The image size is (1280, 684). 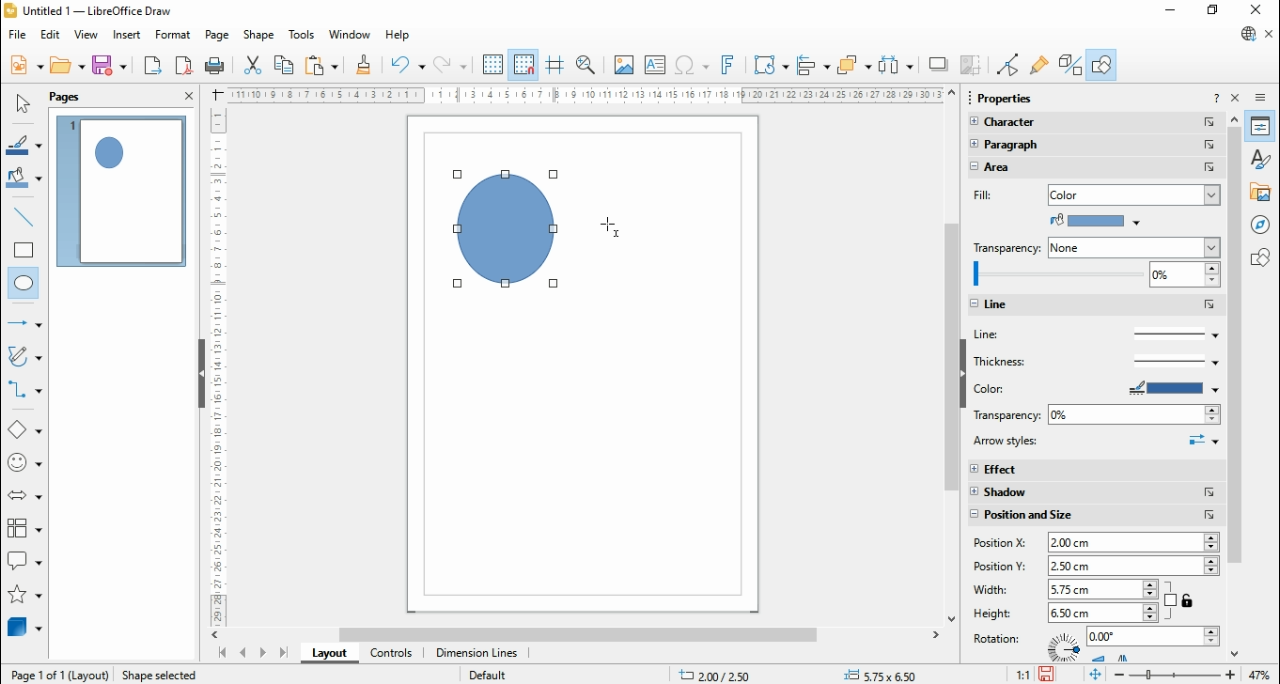 I want to click on transperency, so click(x=1007, y=246).